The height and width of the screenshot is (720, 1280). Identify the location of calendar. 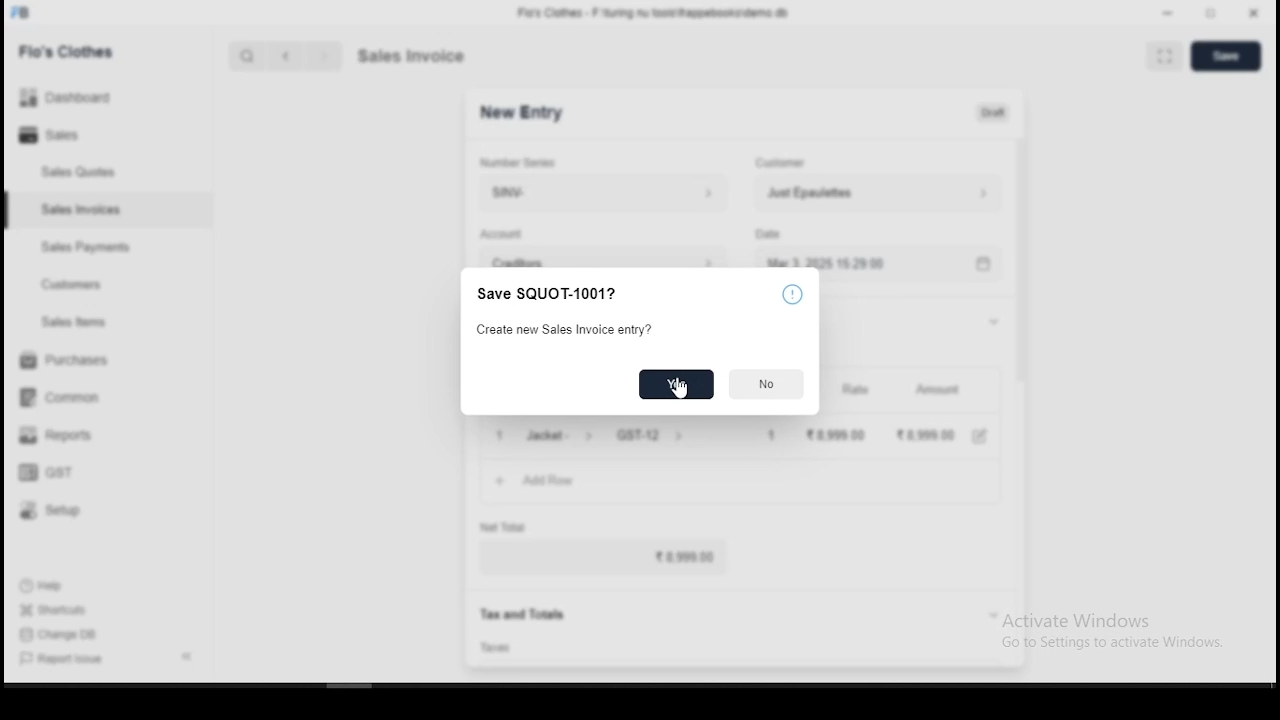
(992, 265).